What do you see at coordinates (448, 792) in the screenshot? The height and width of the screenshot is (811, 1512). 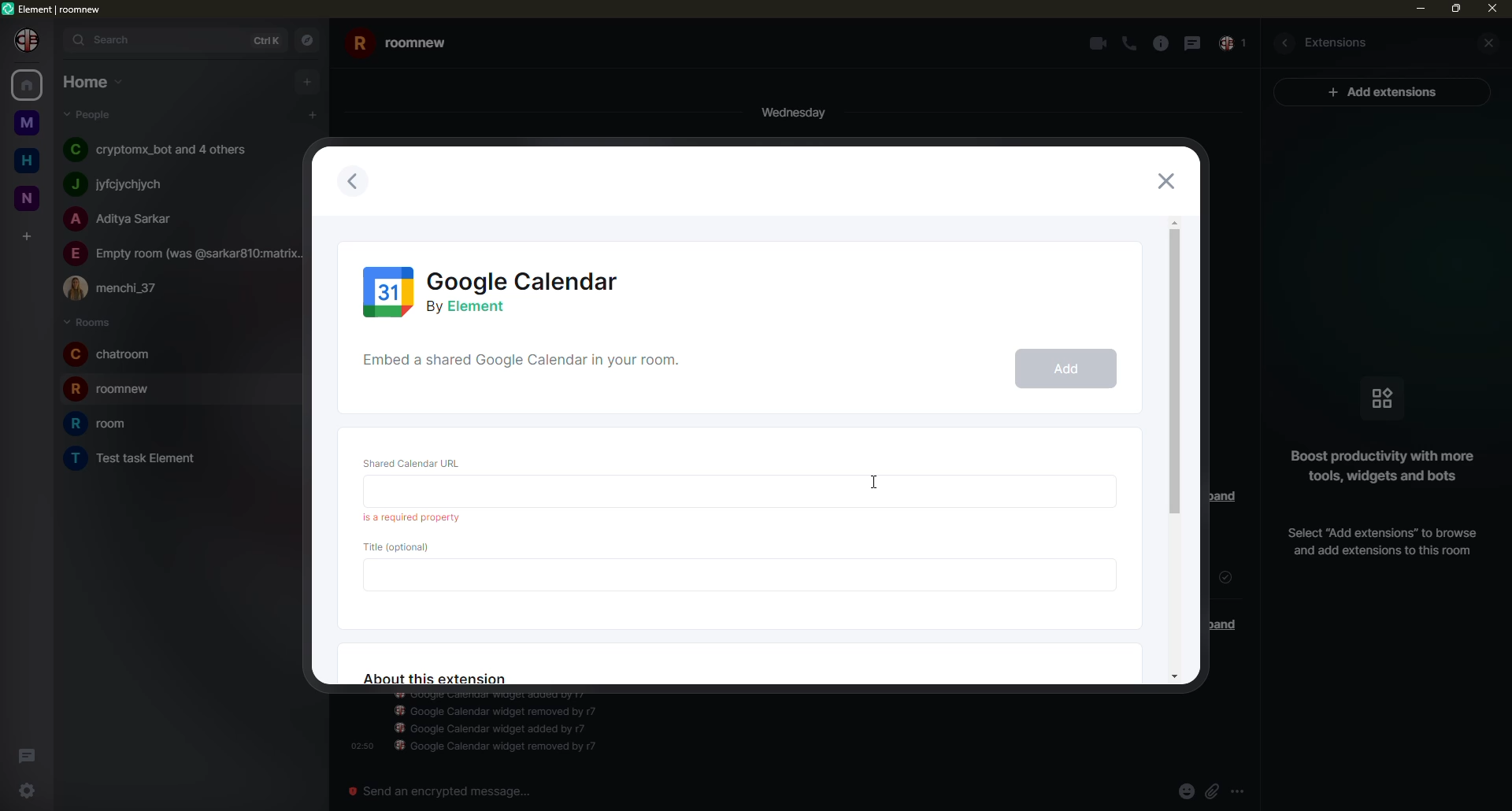 I see `send an emergency message` at bounding box center [448, 792].